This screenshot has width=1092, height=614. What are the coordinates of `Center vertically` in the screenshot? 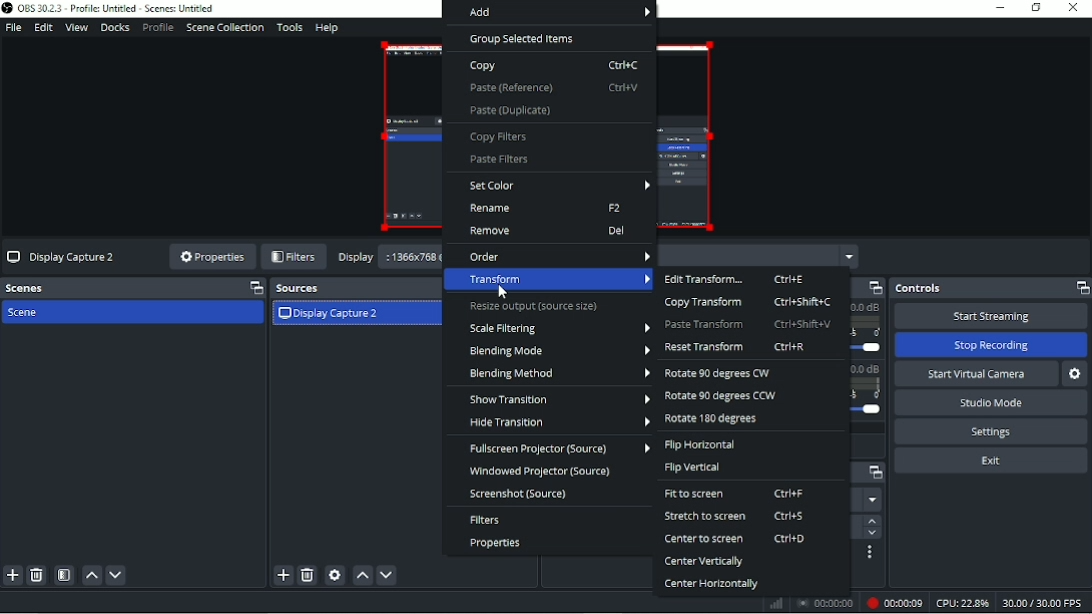 It's located at (704, 563).